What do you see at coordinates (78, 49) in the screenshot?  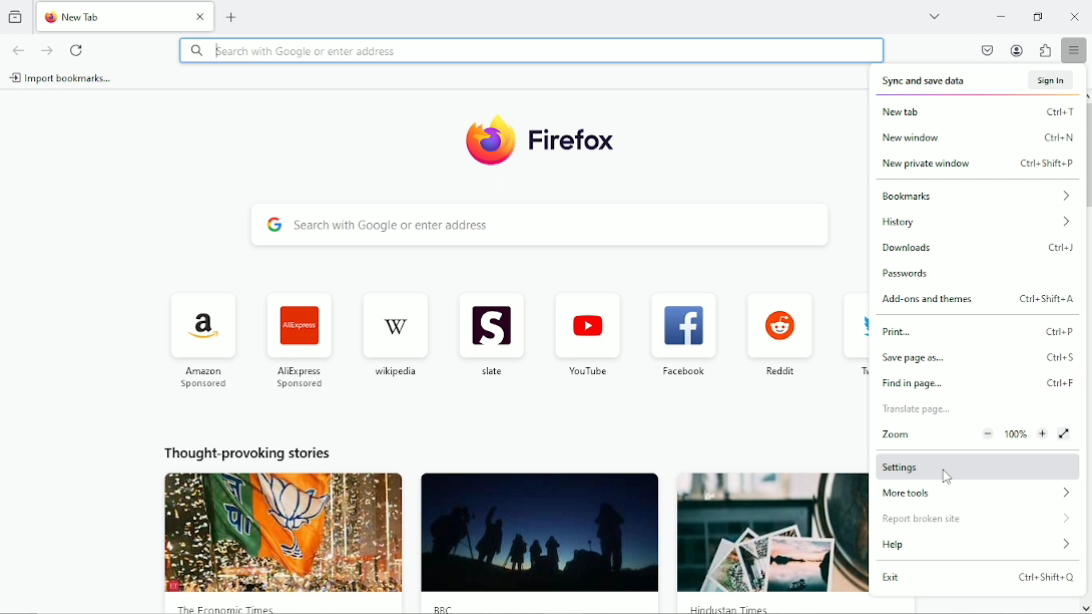 I see `reload current page` at bounding box center [78, 49].